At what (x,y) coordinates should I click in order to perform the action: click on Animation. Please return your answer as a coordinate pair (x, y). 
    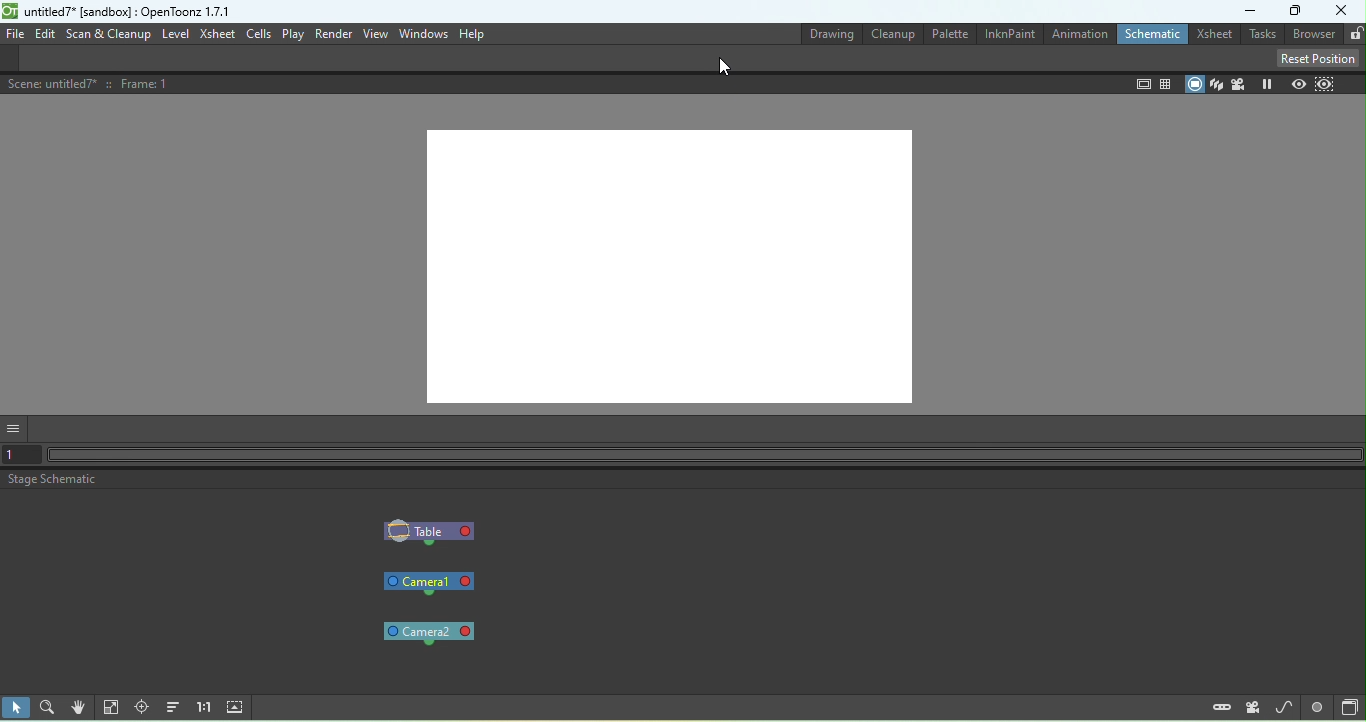
    Looking at the image, I should click on (1080, 35).